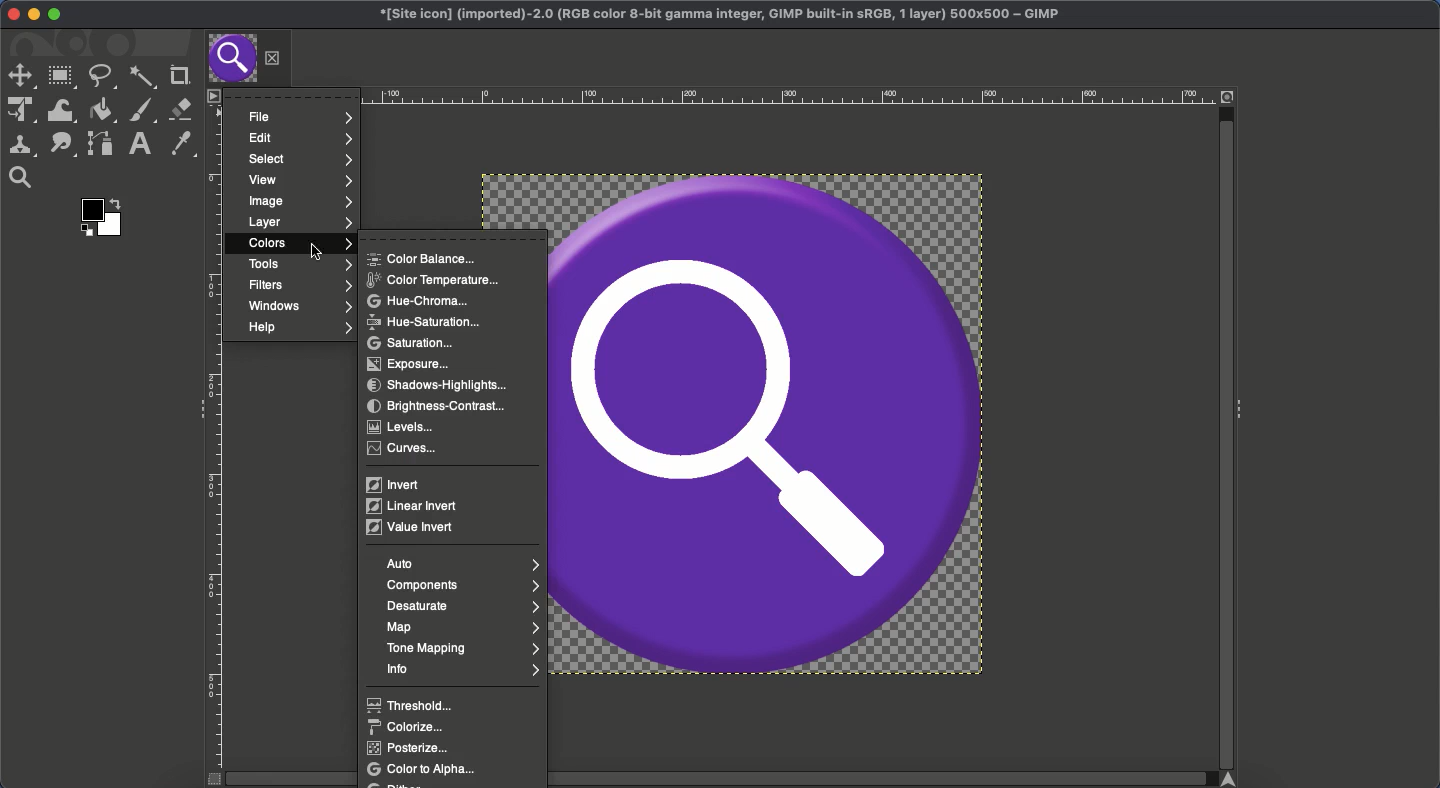  What do you see at coordinates (325, 245) in the screenshot?
I see `cursor` at bounding box center [325, 245].